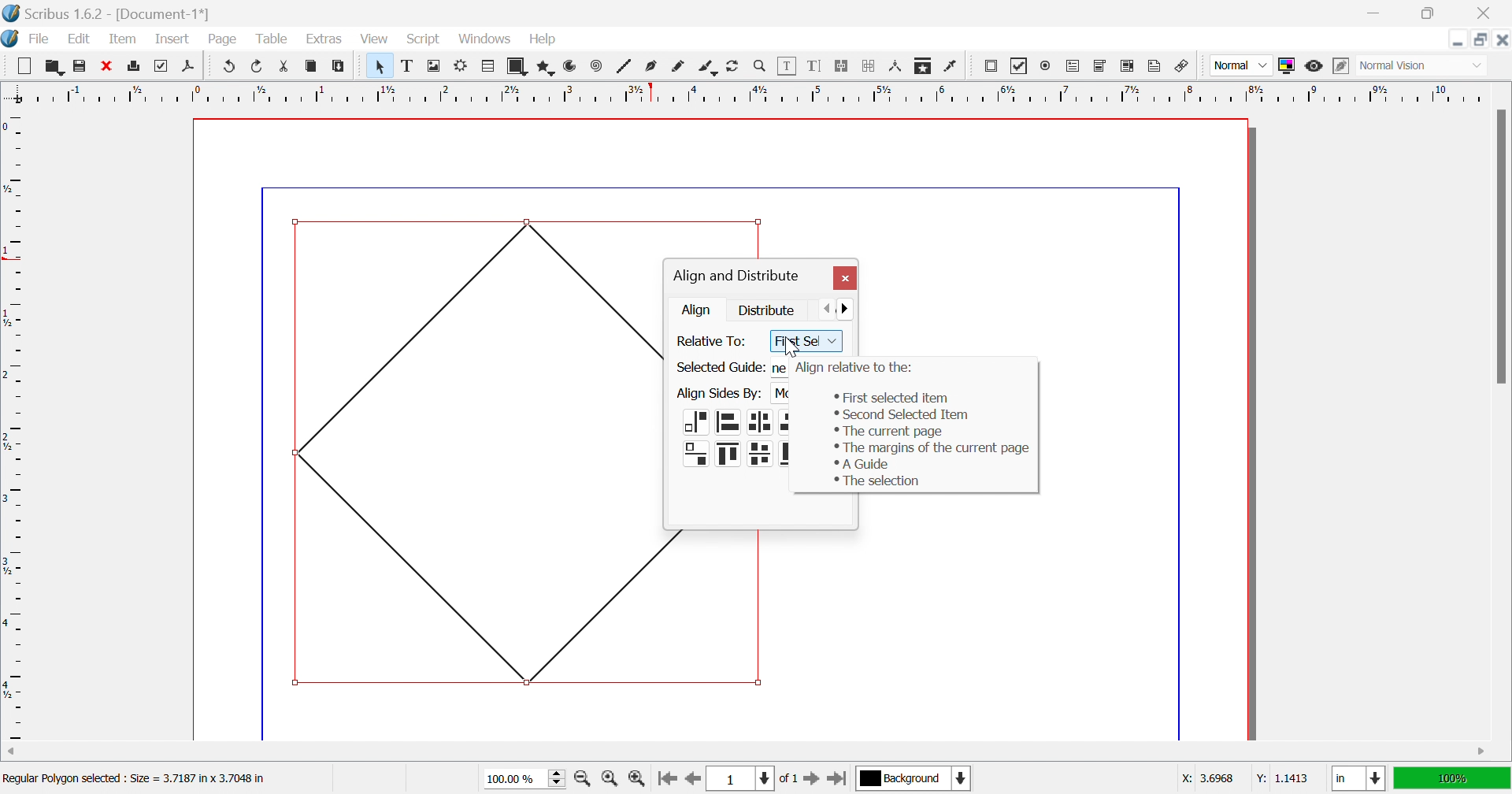 Image resolution: width=1512 pixels, height=794 pixels. I want to click on Scroll bar, so click(1500, 246).